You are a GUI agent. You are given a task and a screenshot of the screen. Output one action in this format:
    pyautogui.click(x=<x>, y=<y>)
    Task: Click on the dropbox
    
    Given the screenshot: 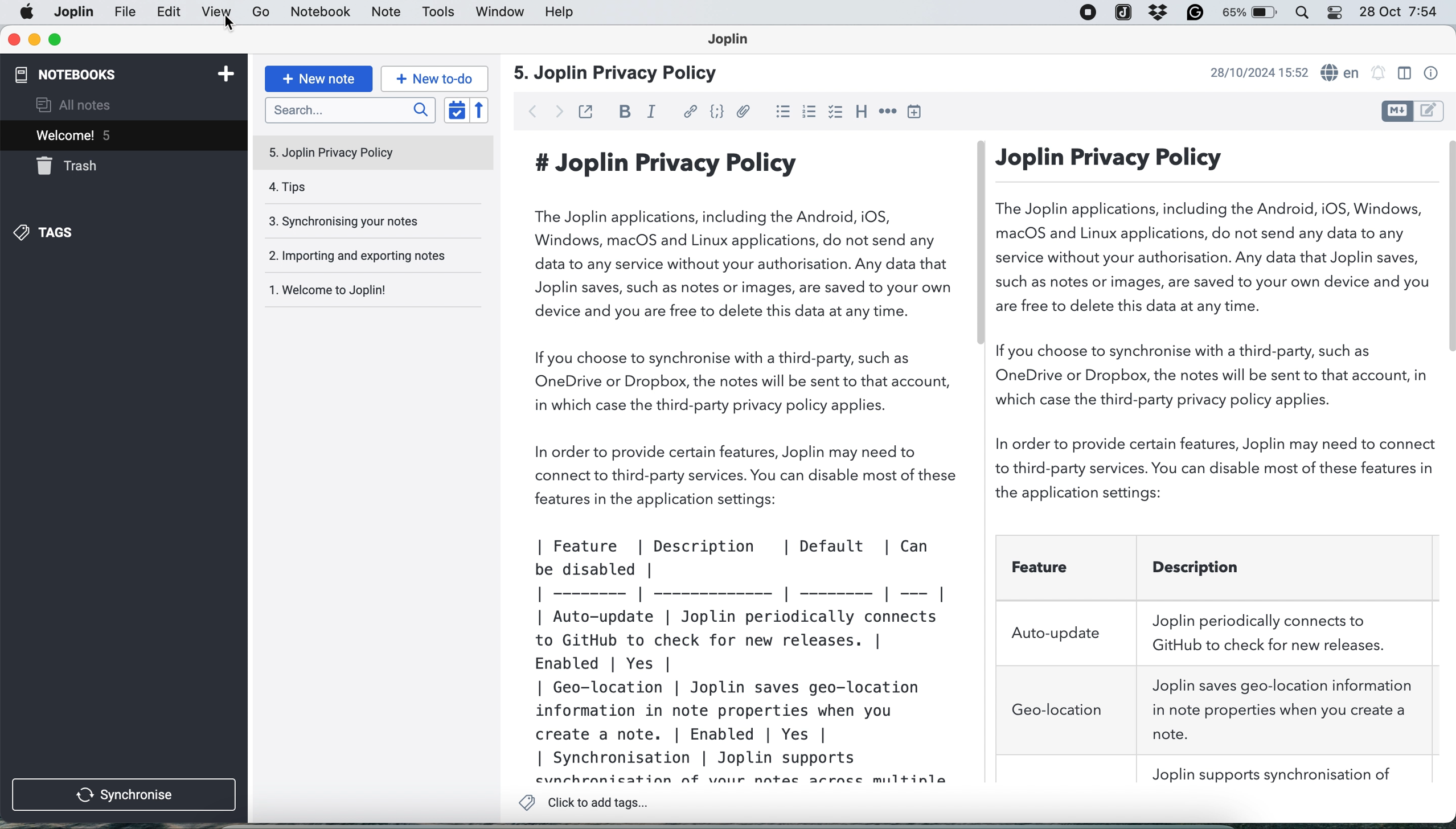 What is the action you would take?
    pyautogui.click(x=1155, y=13)
    